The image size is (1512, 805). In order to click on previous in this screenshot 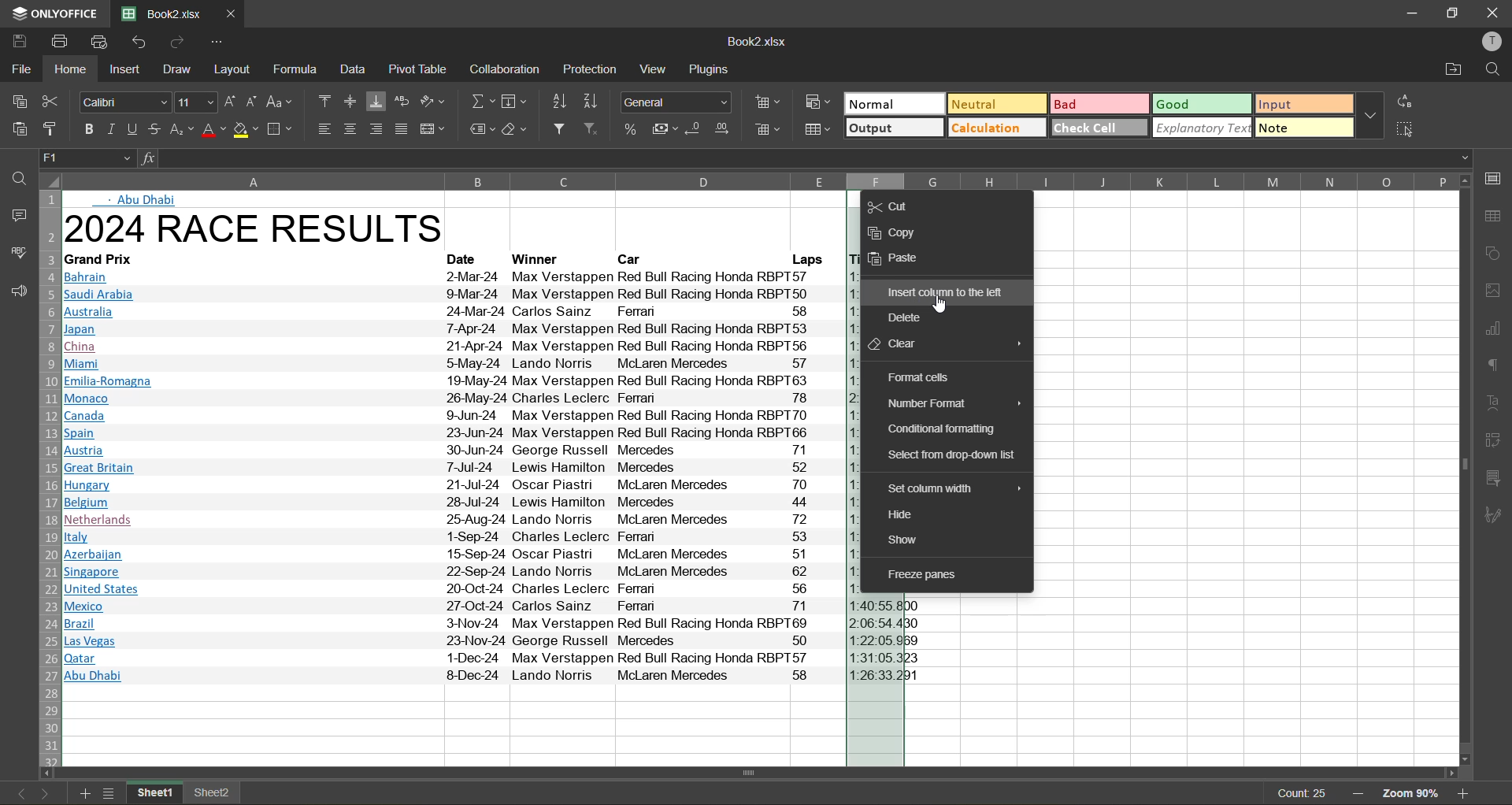, I will do `click(13, 792)`.